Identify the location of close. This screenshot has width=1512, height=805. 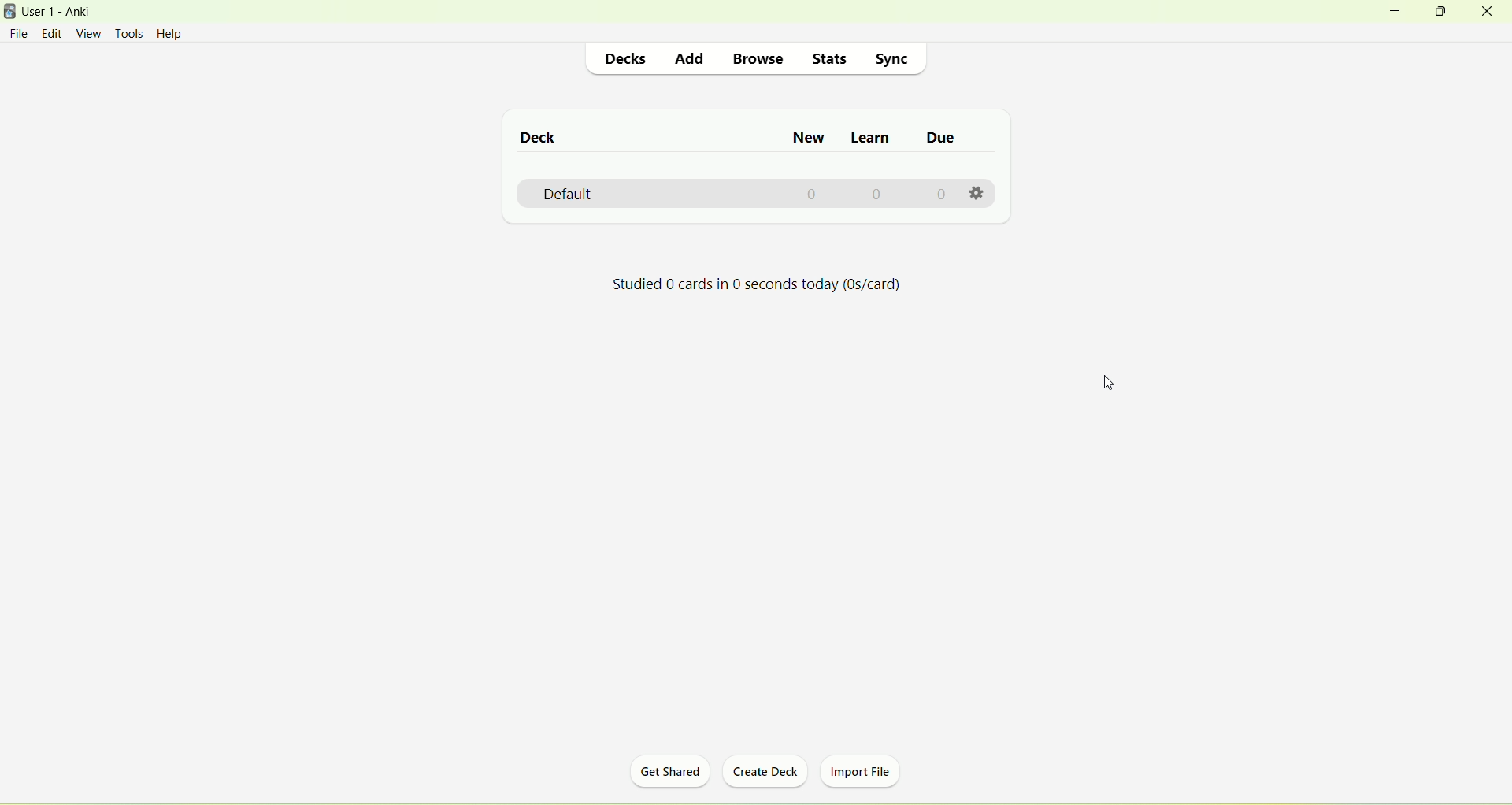
(1486, 14).